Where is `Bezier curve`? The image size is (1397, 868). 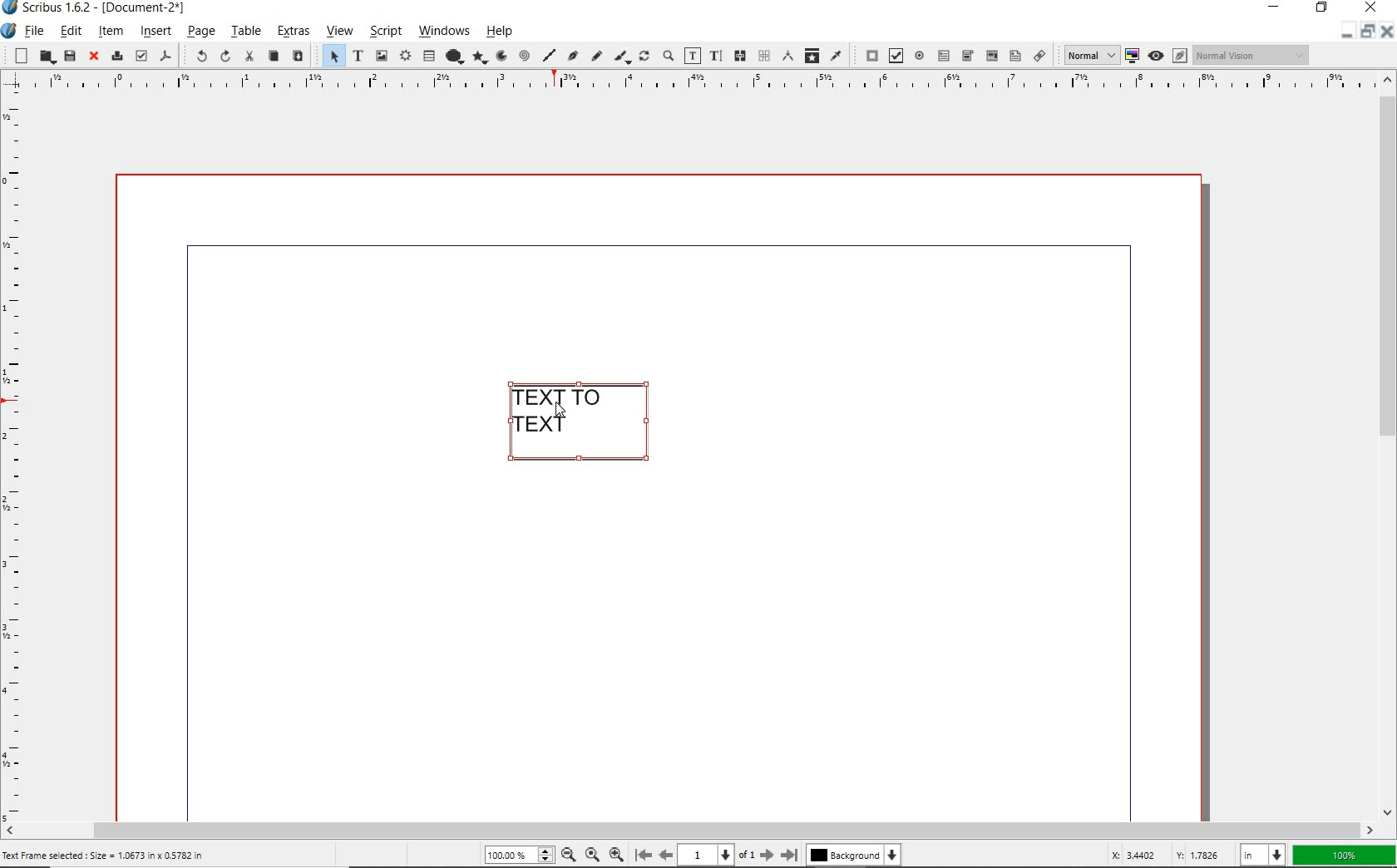 Bezier curve is located at coordinates (572, 55).